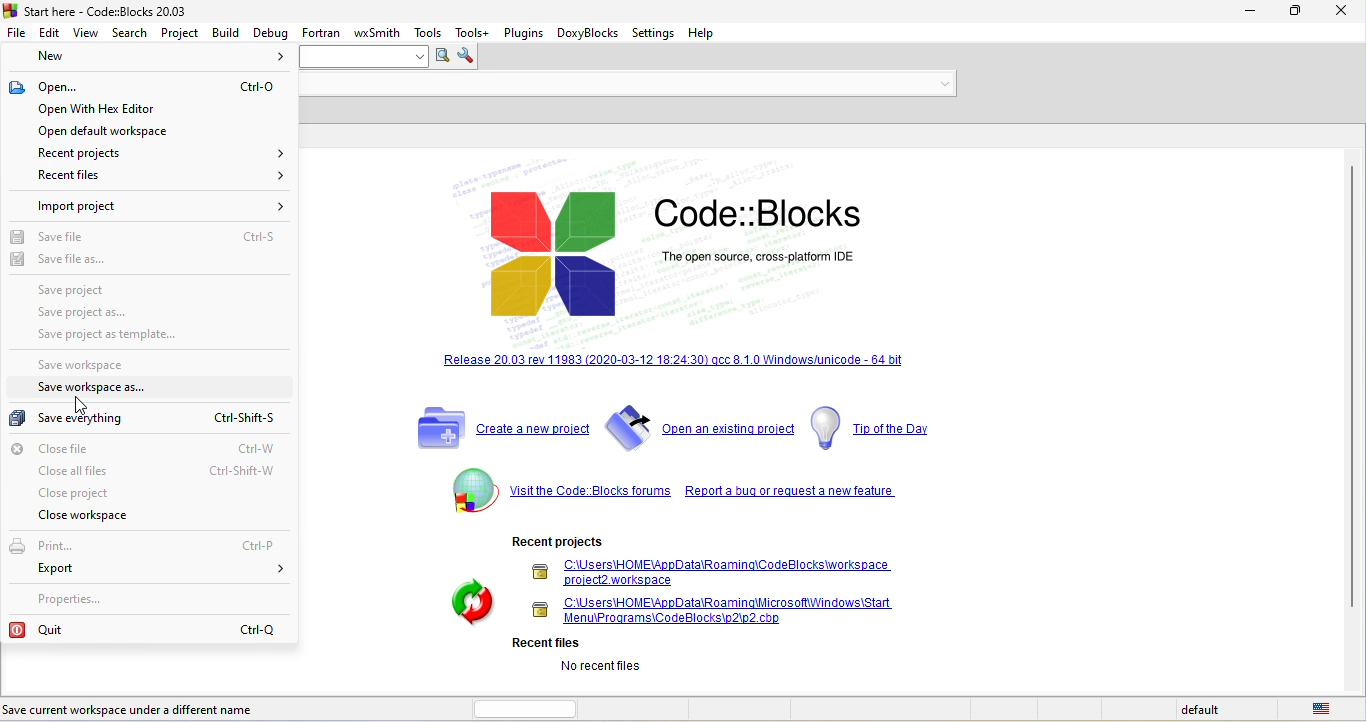 The height and width of the screenshot is (722, 1366). What do you see at coordinates (94, 313) in the screenshot?
I see `save project as` at bounding box center [94, 313].